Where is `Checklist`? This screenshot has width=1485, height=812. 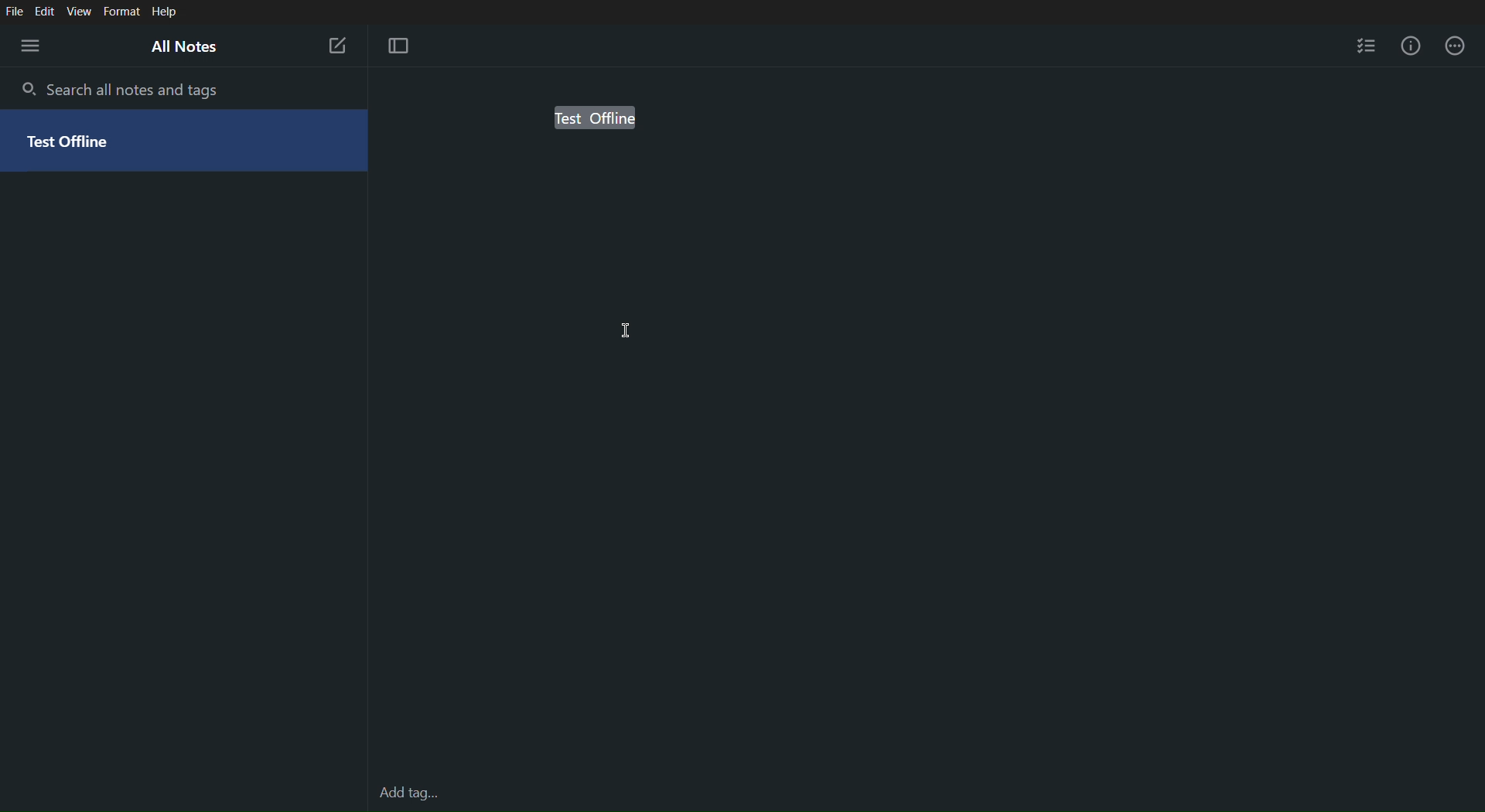 Checklist is located at coordinates (1367, 48).